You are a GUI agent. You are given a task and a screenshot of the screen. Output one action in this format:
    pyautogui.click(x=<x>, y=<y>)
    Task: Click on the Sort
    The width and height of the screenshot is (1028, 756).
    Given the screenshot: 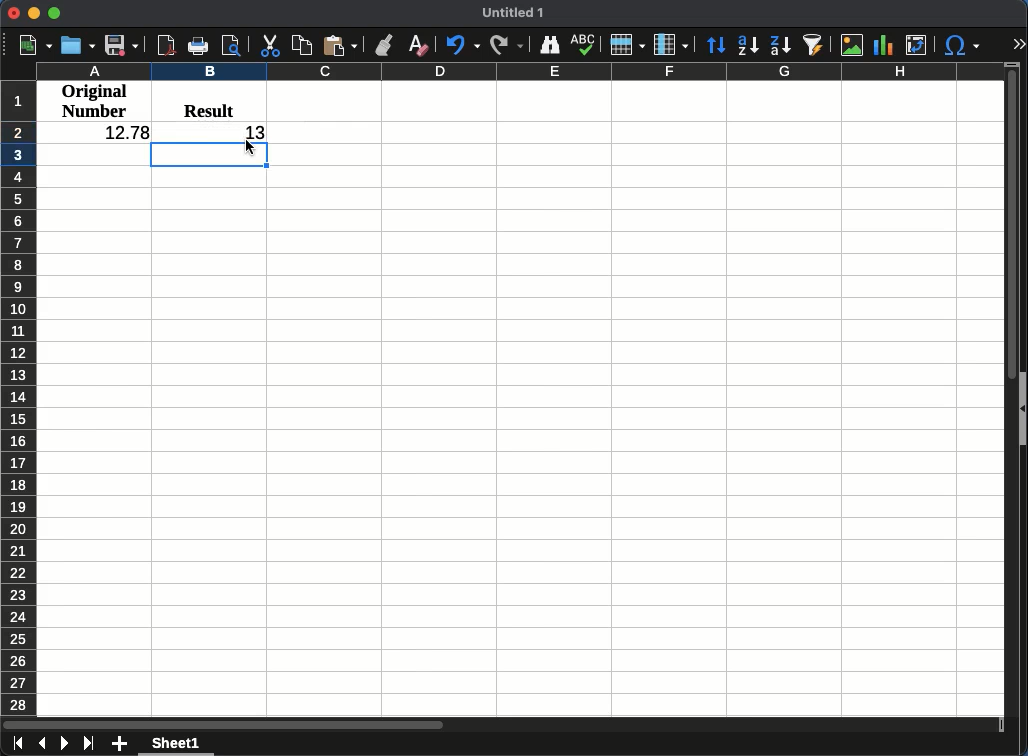 What is the action you would take?
    pyautogui.click(x=716, y=45)
    